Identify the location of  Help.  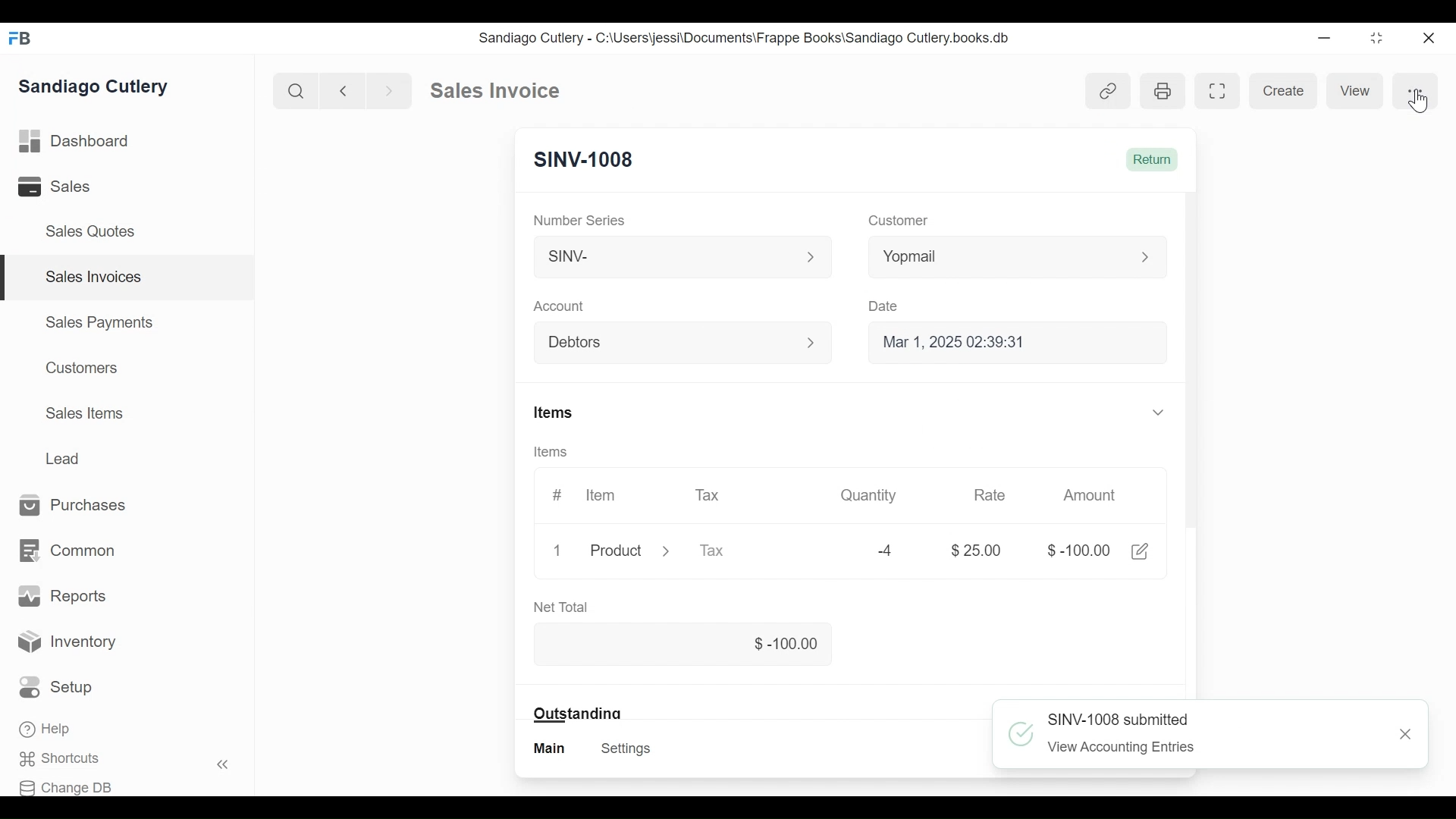
(45, 729).